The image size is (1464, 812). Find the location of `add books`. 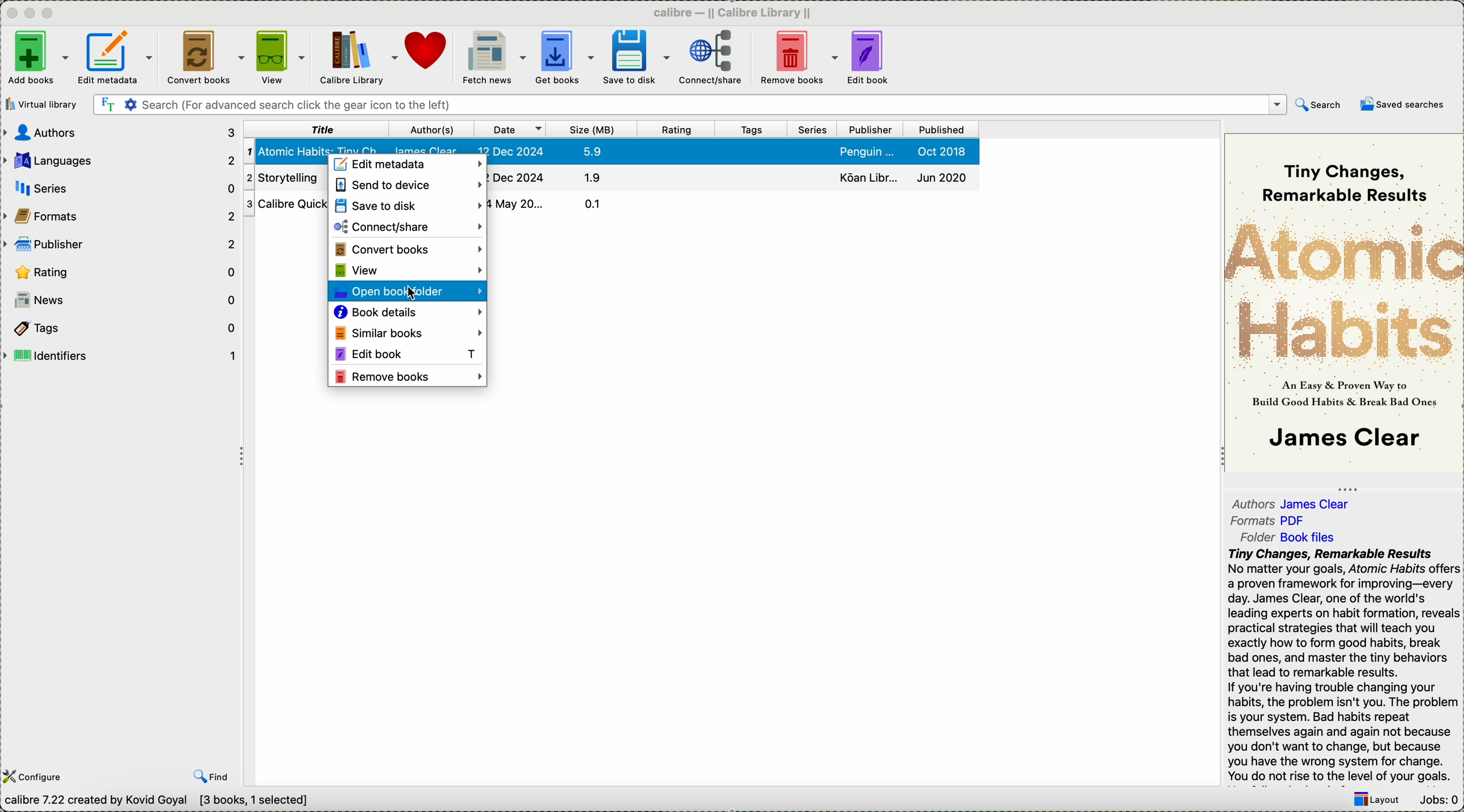

add books is located at coordinates (36, 59).